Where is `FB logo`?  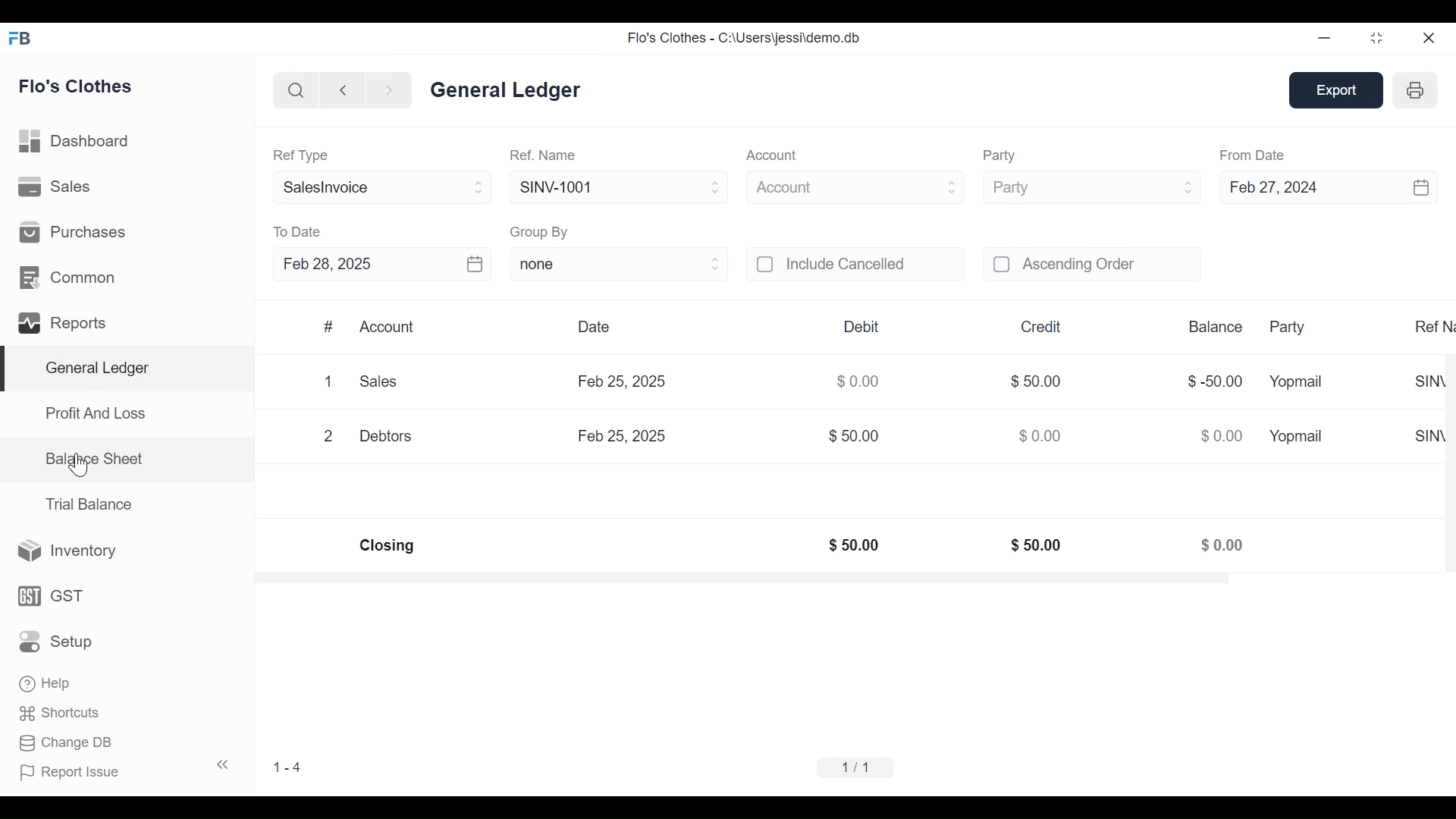 FB logo is located at coordinates (20, 37).